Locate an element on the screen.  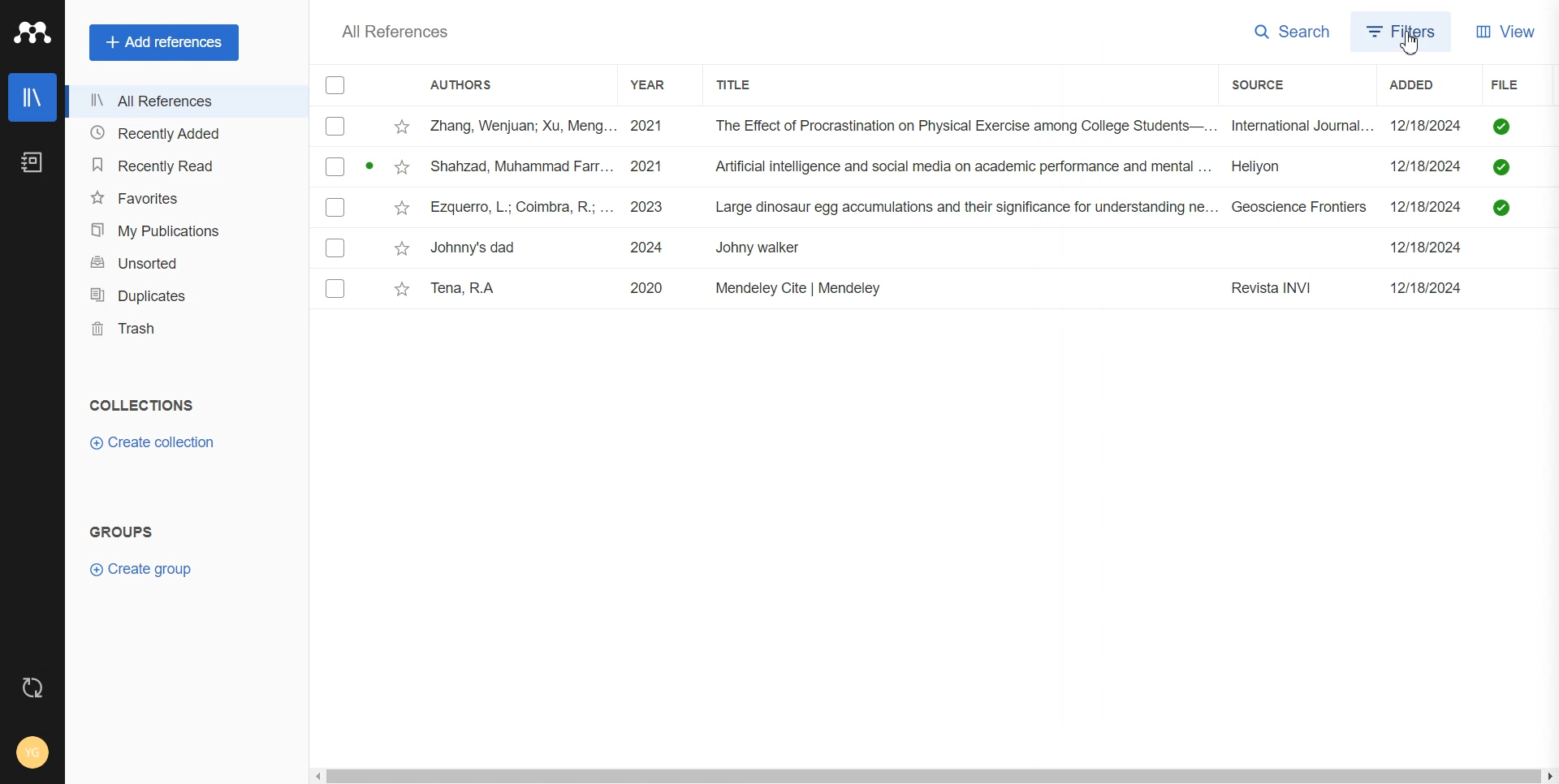
Filters is located at coordinates (1401, 30).